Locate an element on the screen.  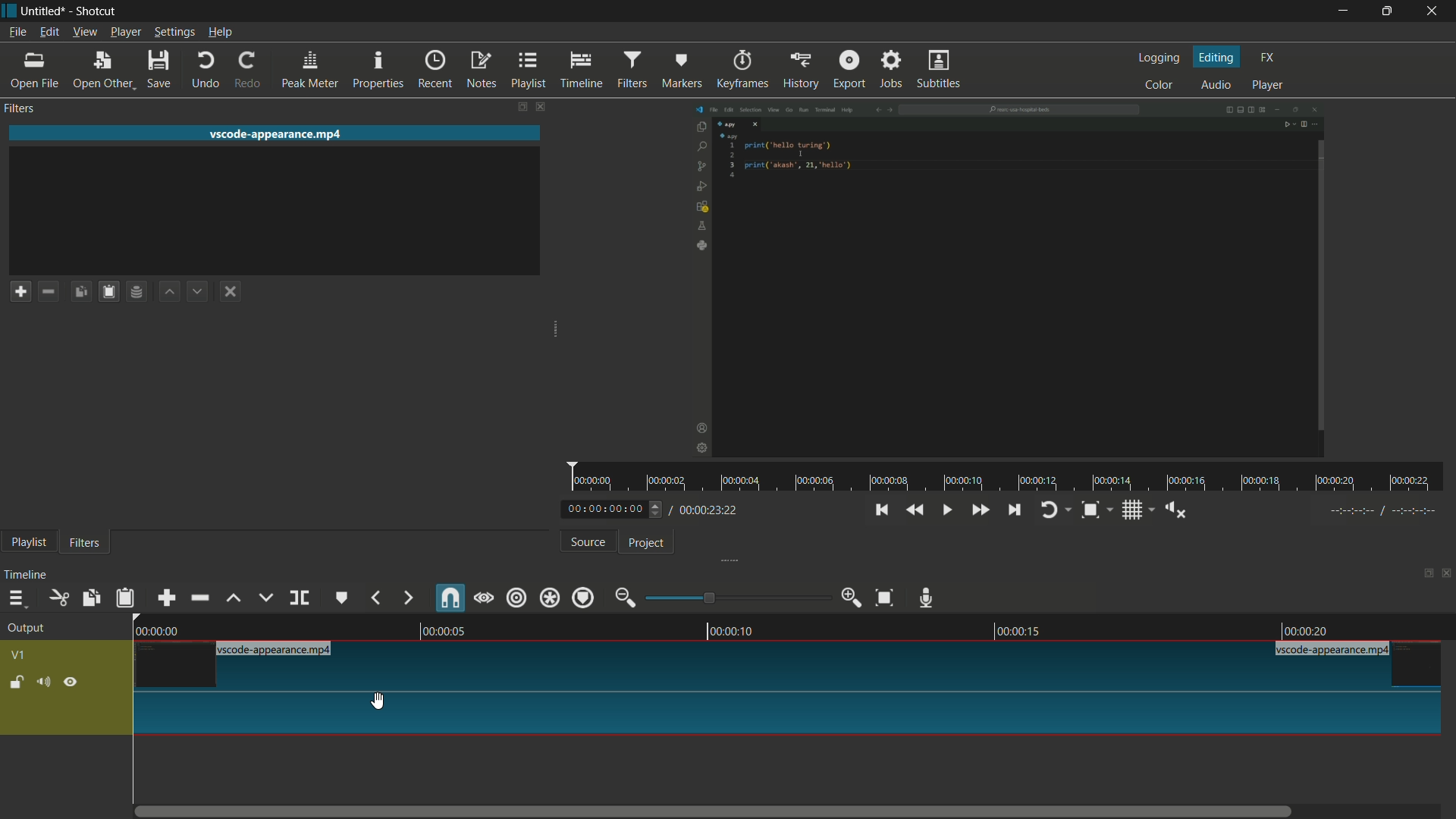
logging is located at coordinates (1159, 59).